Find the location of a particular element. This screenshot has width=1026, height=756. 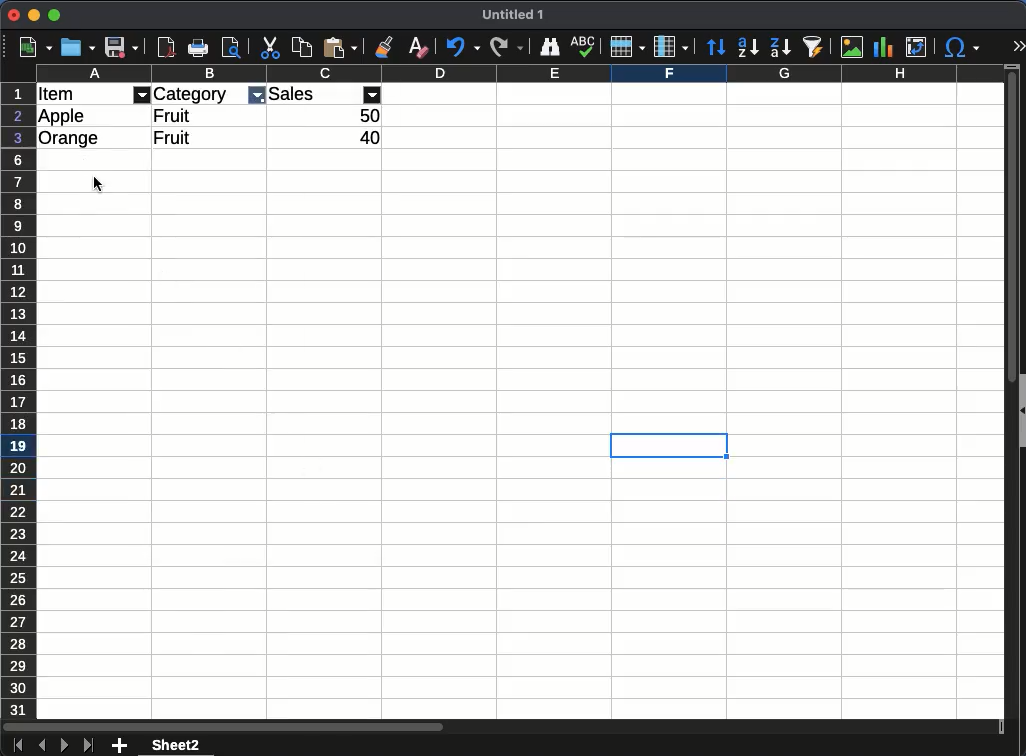

descending is located at coordinates (747, 48).